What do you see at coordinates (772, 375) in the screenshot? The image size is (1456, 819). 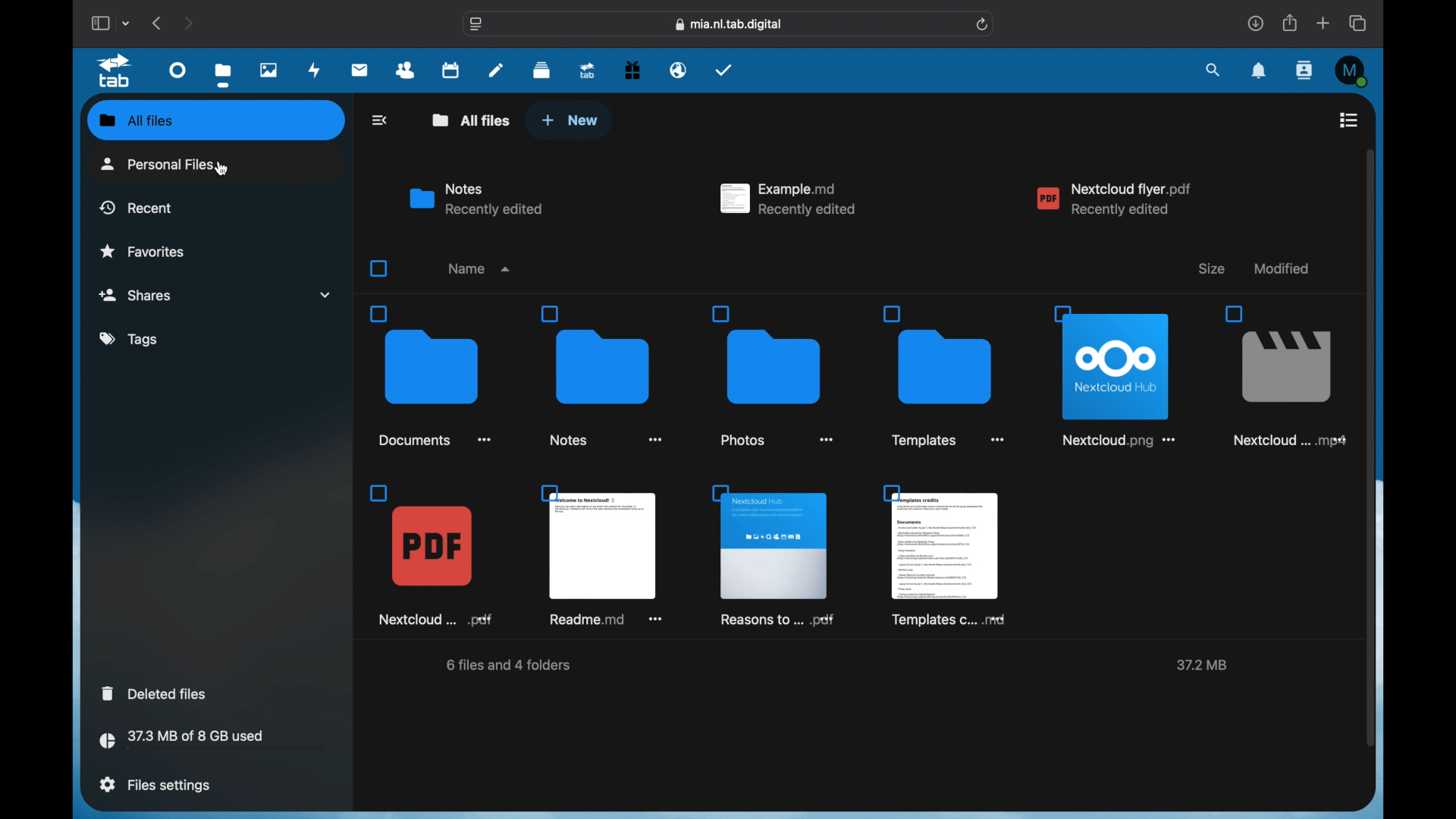 I see `folder` at bounding box center [772, 375].